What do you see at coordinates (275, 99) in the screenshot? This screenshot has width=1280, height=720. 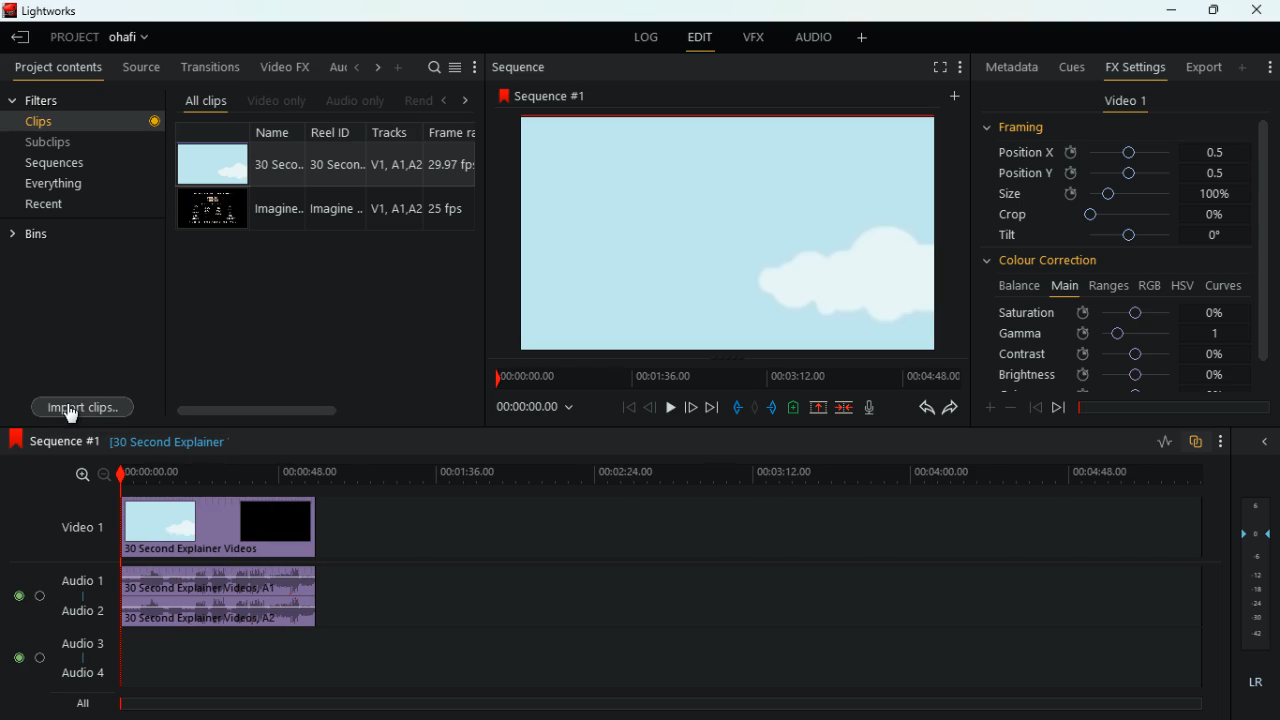 I see `video only` at bounding box center [275, 99].